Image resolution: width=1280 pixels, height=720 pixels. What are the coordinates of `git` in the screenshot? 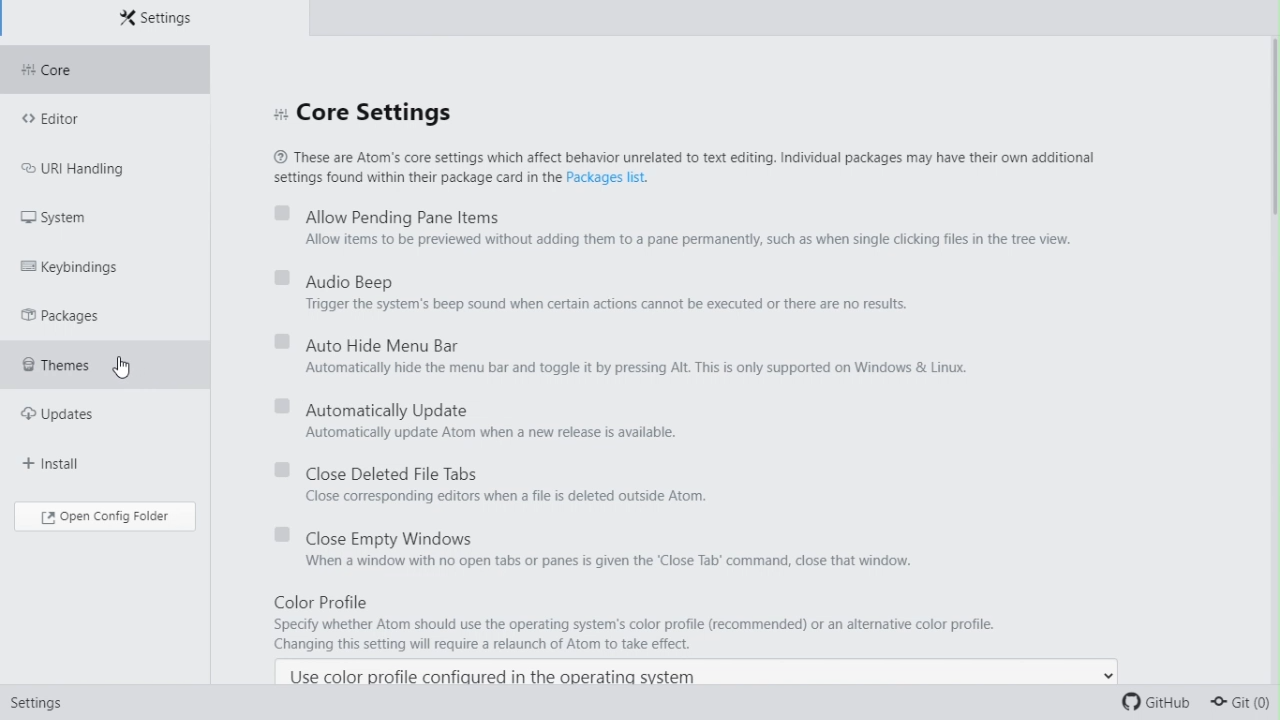 It's located at (1242, 704).